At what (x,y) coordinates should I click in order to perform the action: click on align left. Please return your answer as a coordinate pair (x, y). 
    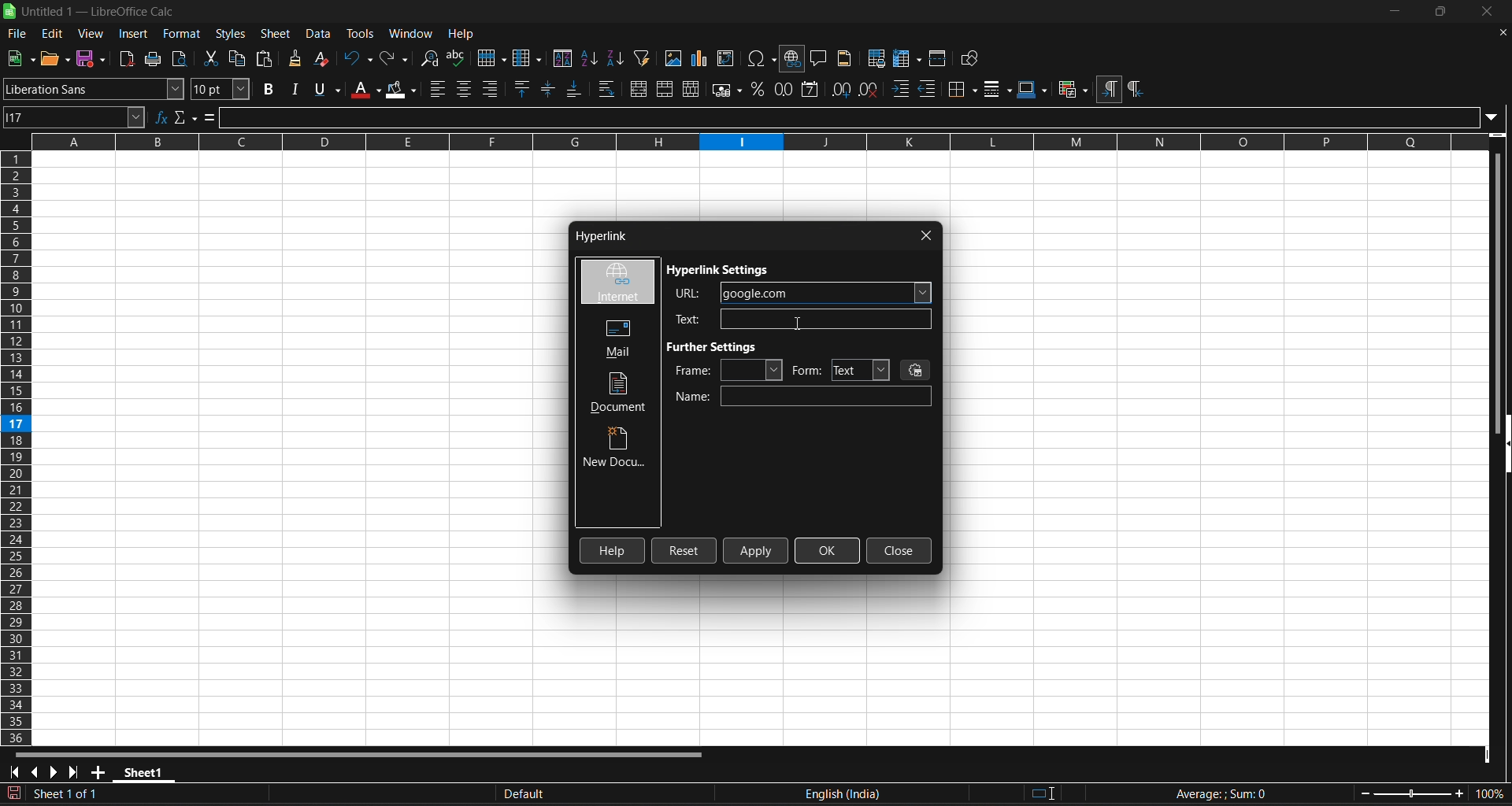
    Looking at the image, I should click on (439, 89).